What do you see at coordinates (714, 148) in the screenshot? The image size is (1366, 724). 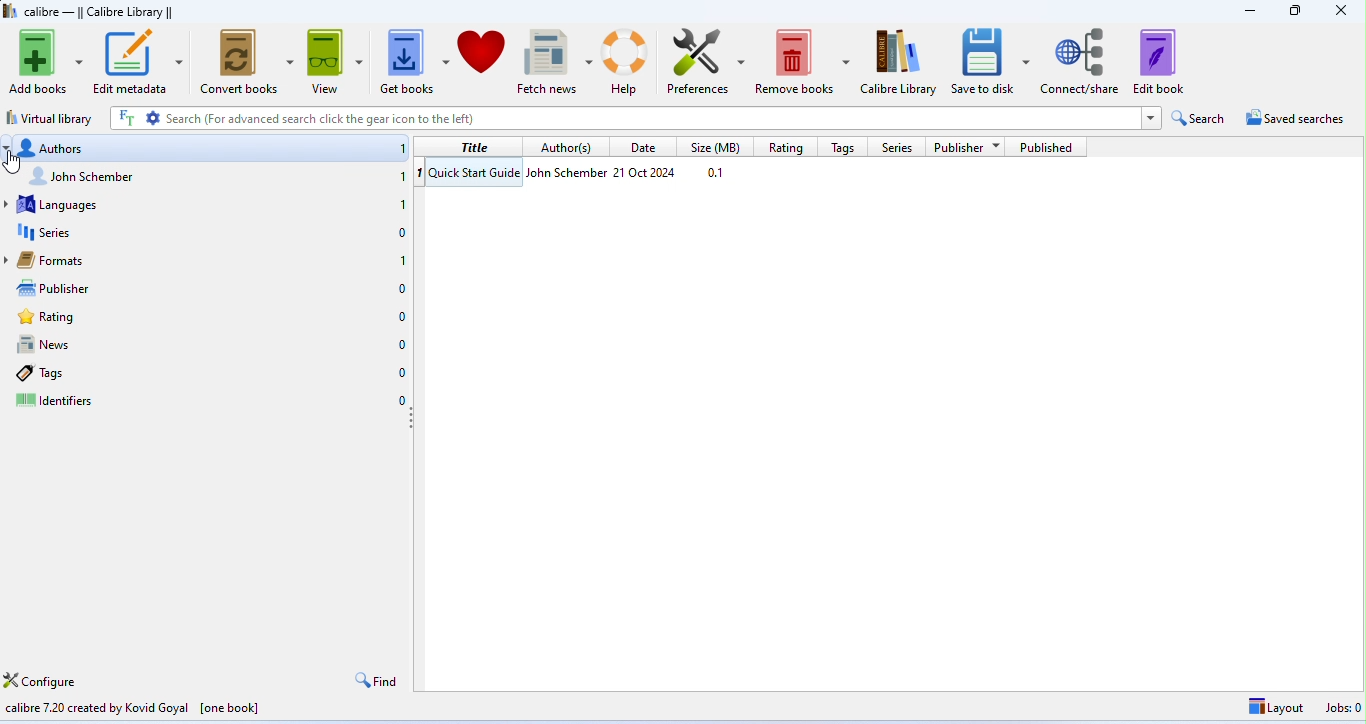 I see `size` at bounding box center [714, 148].